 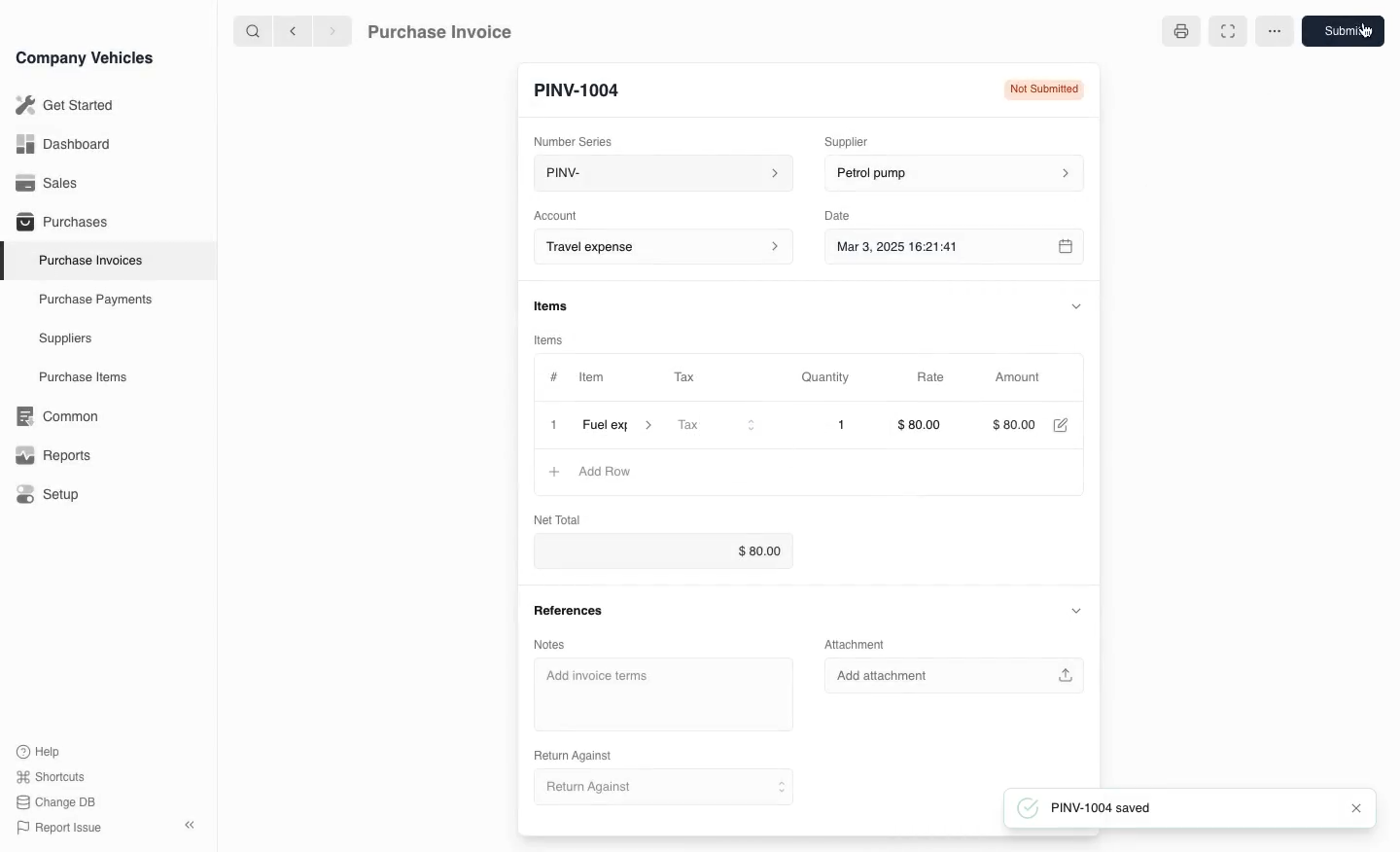 I want to click on Rate, so click(x=932, y=377).